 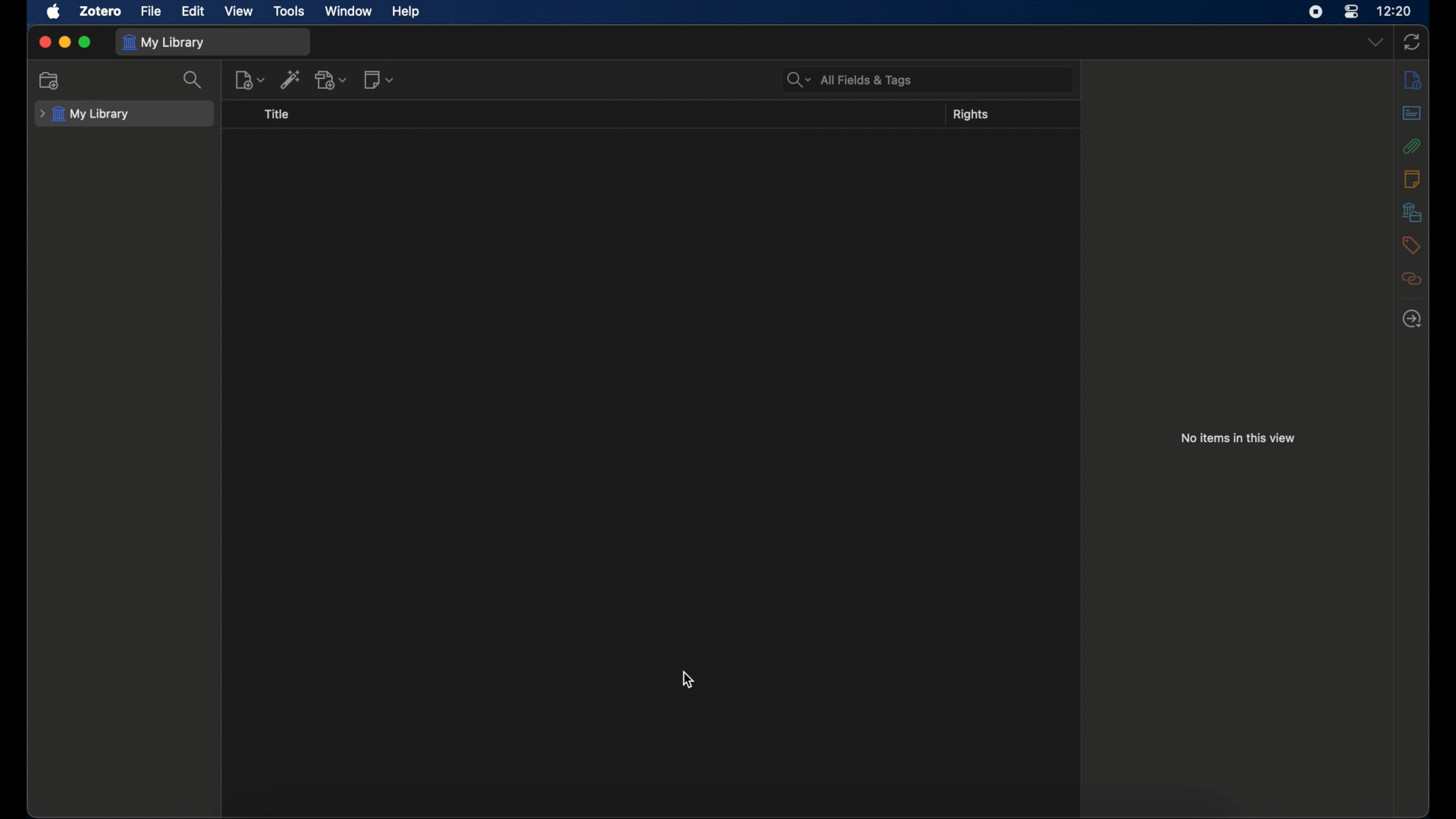 I want to click on maximize, so click(x=86, y=42).